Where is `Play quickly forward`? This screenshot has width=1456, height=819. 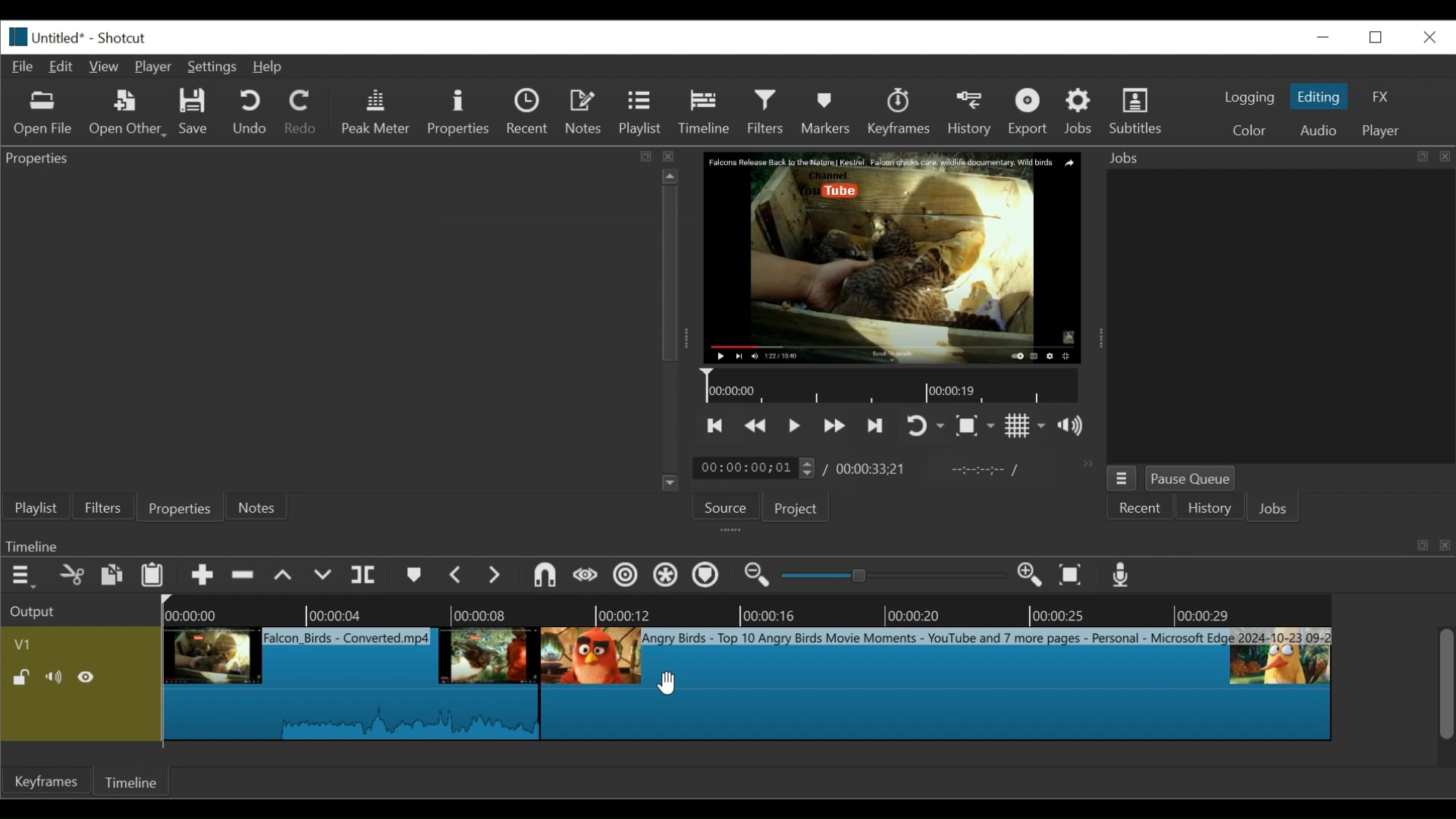 Play quickly forward is located at coordinates (834, 425).